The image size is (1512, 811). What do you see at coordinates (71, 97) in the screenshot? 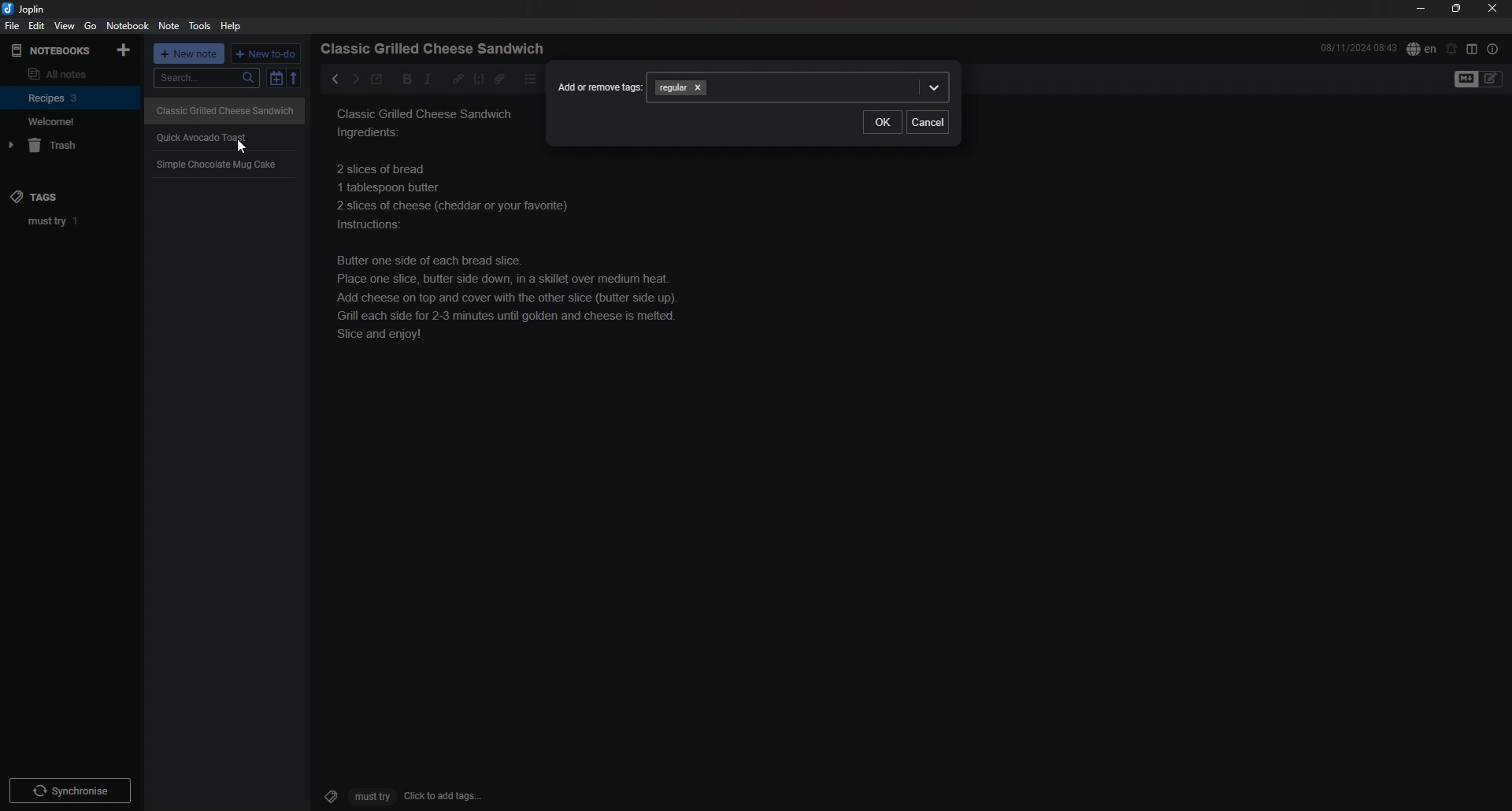
I see `notebook` at bounding box center [71, 97].